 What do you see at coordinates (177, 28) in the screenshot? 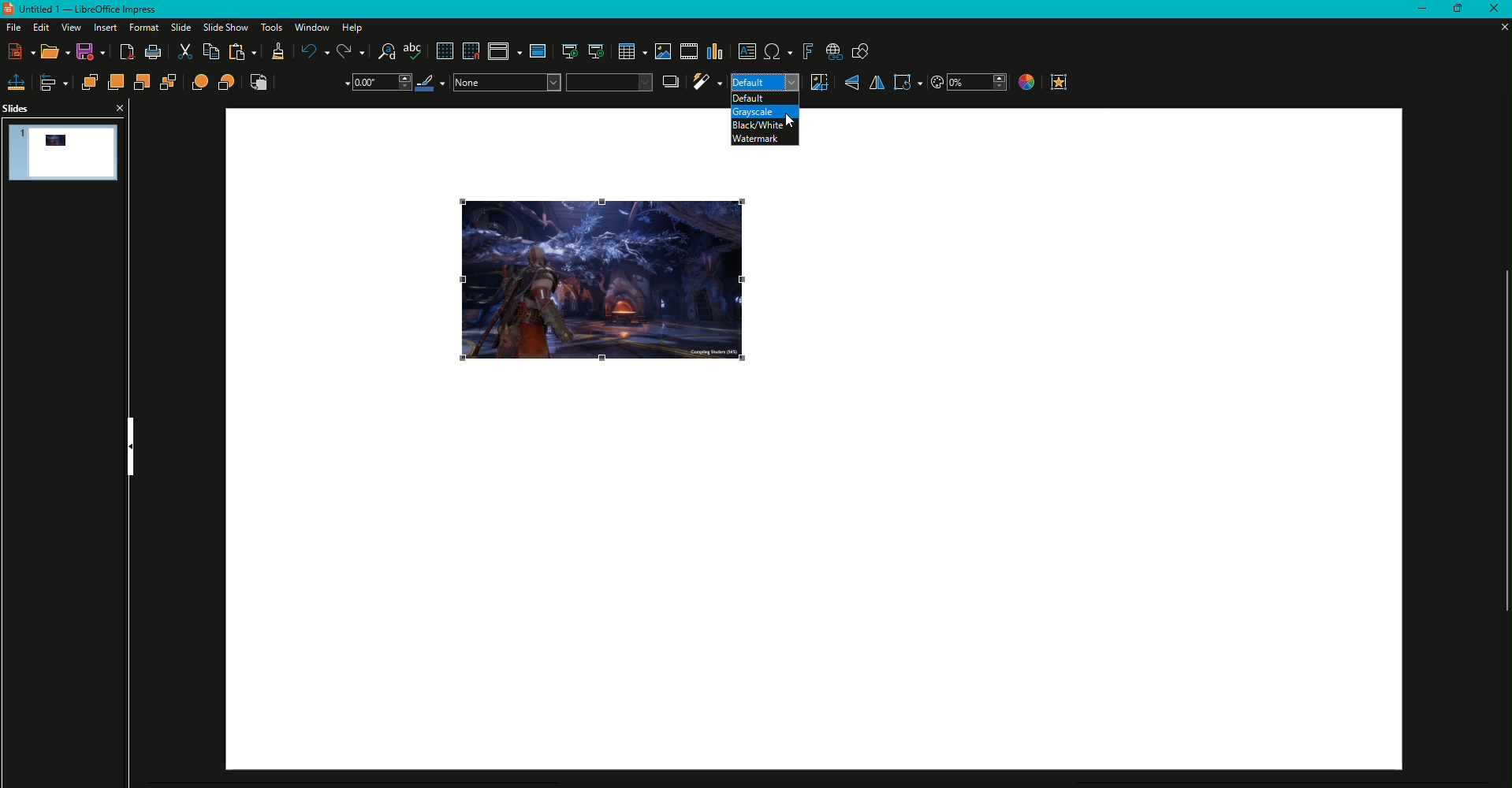
I see `Slide` at bounding box center [177, 28].